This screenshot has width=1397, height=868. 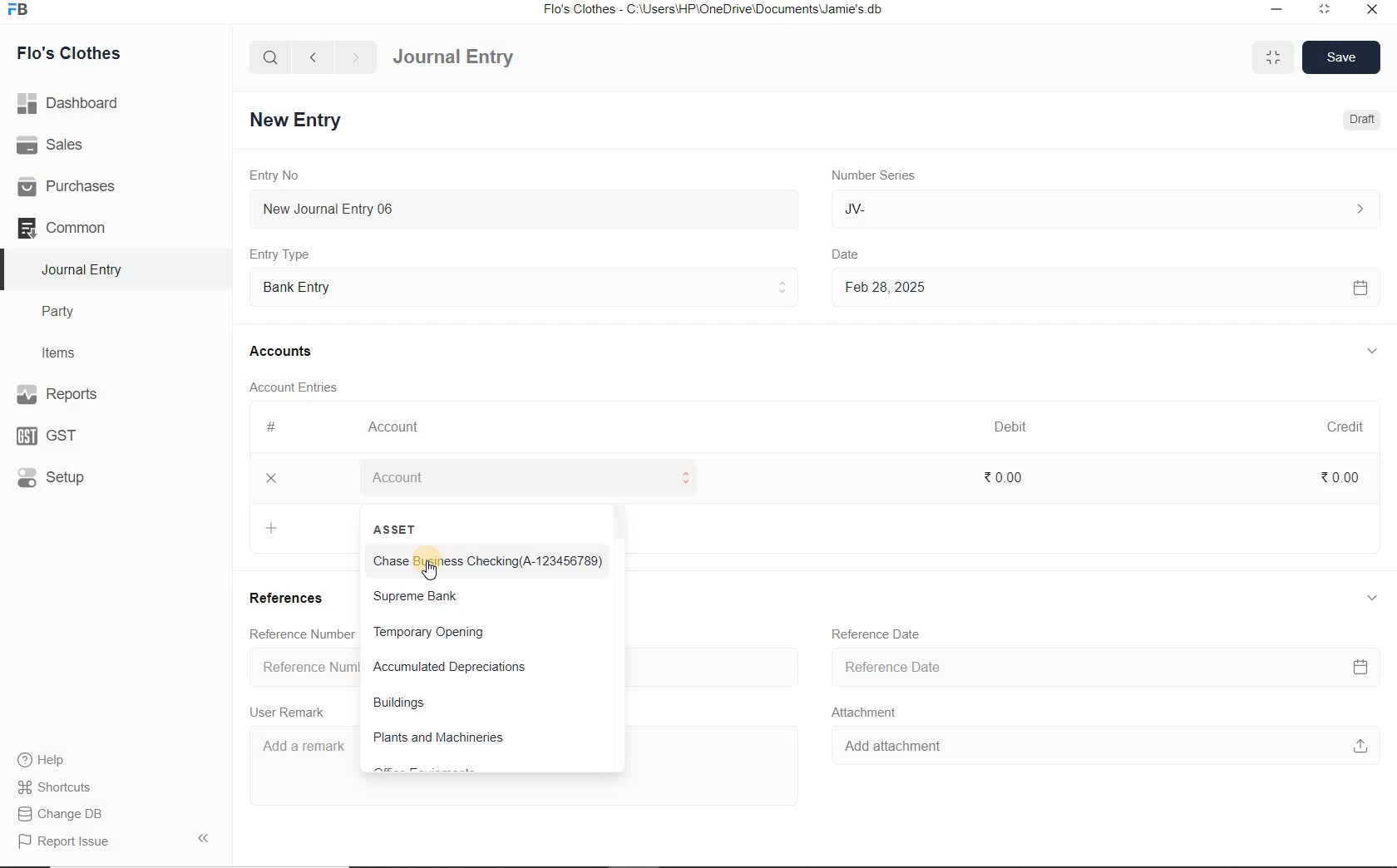 What do you see at coordinates (398, 427) in the screenshot?
I see `Account` at bounding box center [398, 427].